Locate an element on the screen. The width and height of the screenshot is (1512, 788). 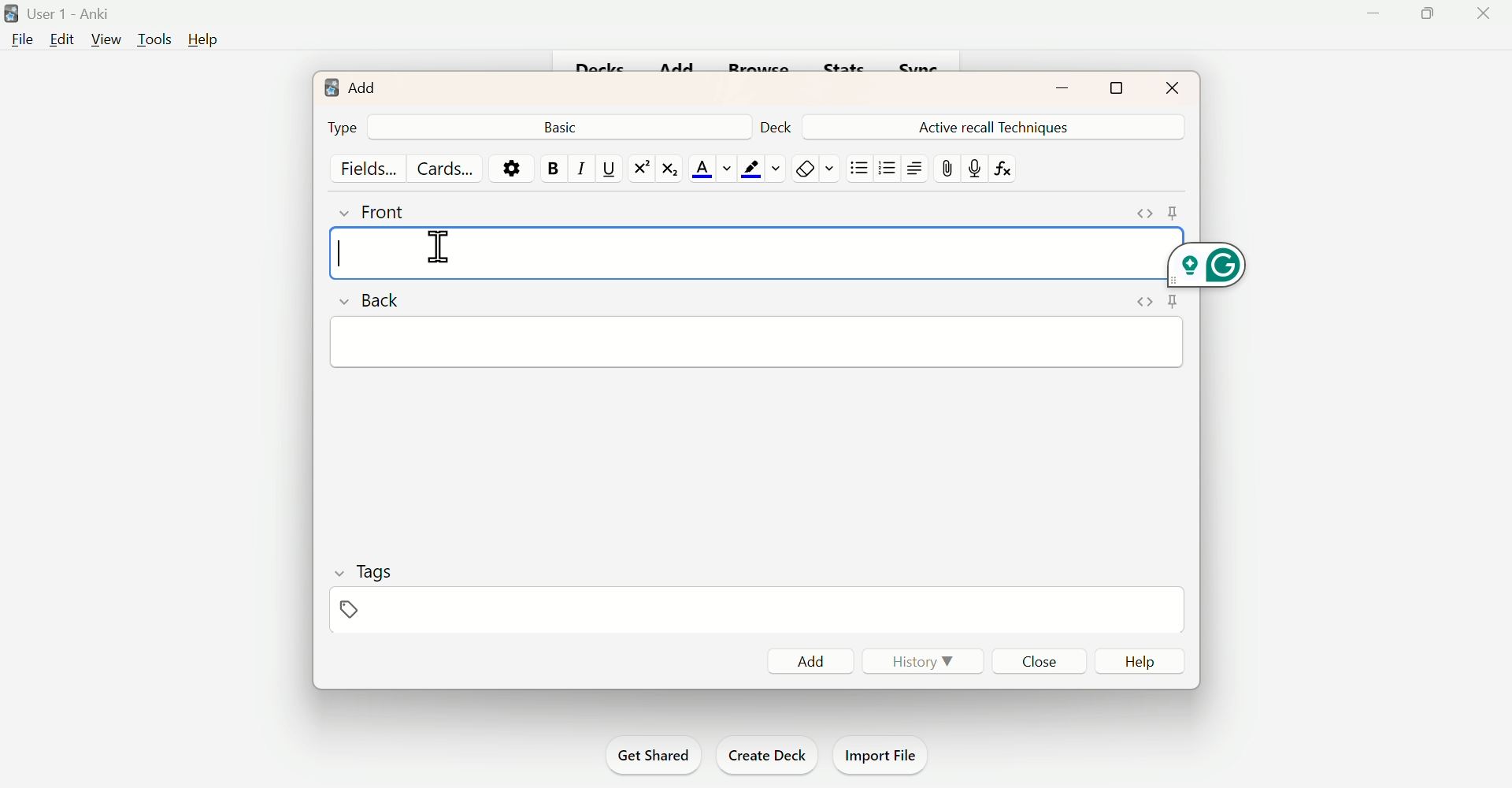
Remove Formatting is located at coordinates (812, 167).